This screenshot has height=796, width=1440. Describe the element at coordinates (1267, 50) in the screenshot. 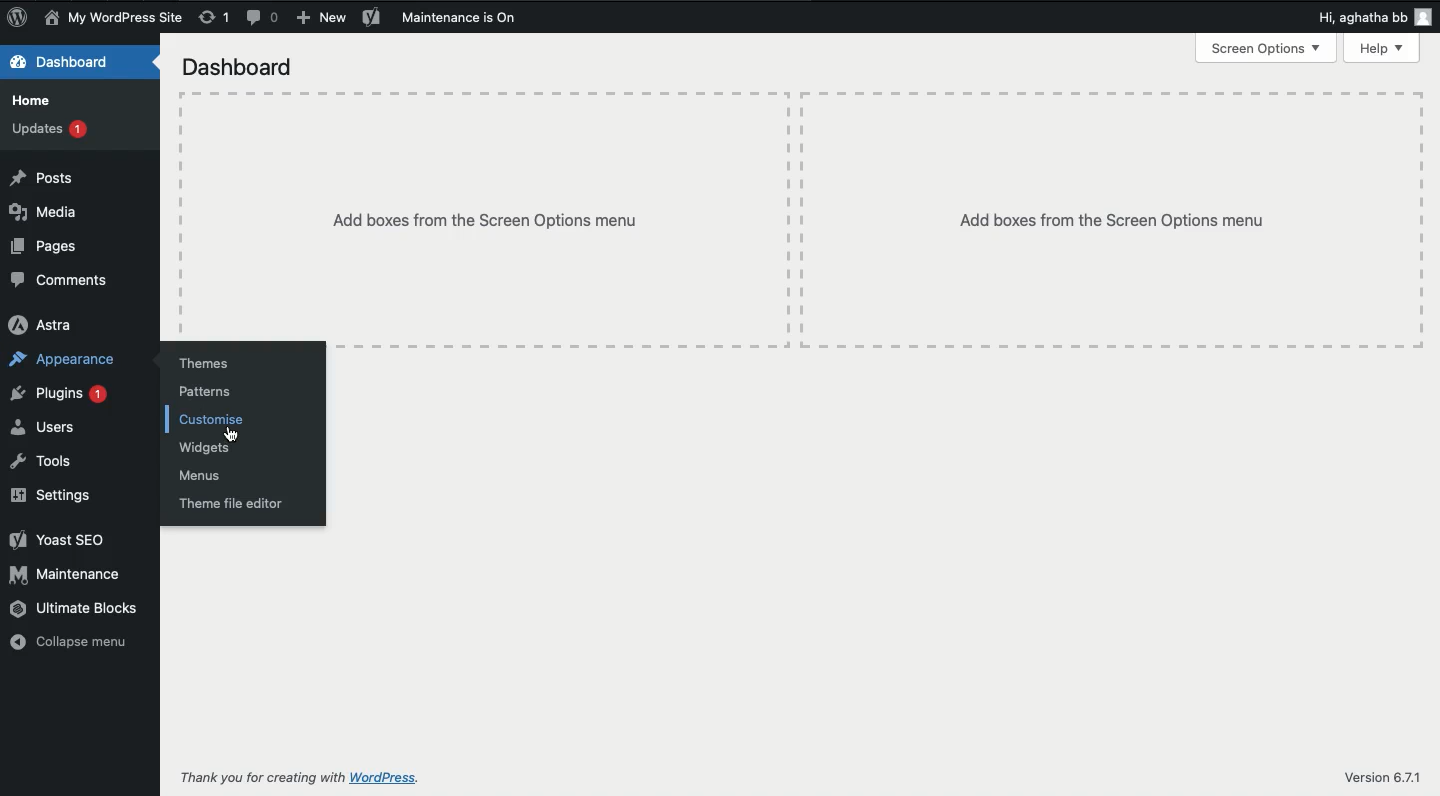

I see `Screen options` at that location.